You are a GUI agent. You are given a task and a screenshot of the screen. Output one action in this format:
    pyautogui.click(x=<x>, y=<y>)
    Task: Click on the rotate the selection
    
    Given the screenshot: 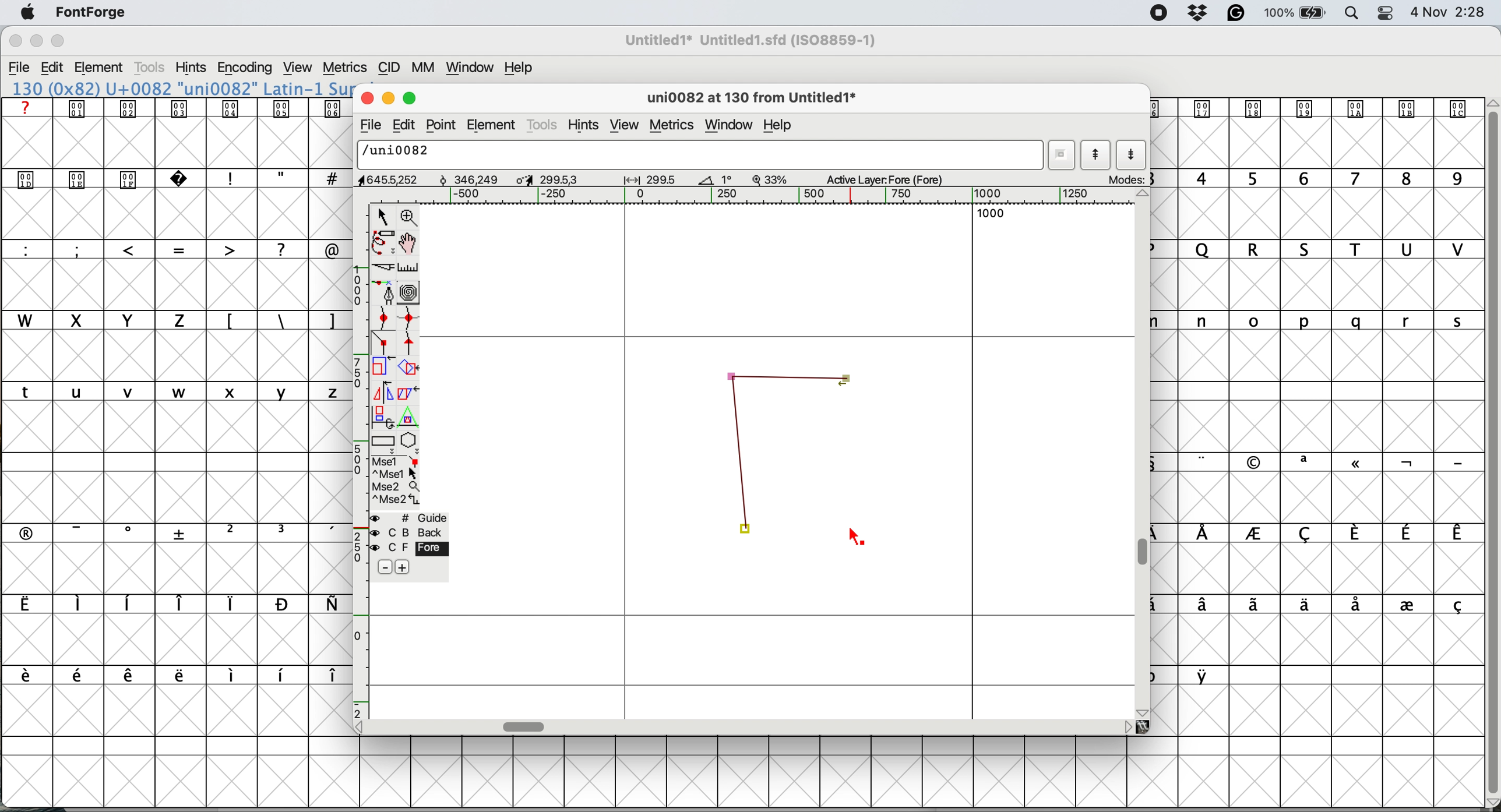 What is the action you would take?
    pyautogui.click(x=409, y=369)
    